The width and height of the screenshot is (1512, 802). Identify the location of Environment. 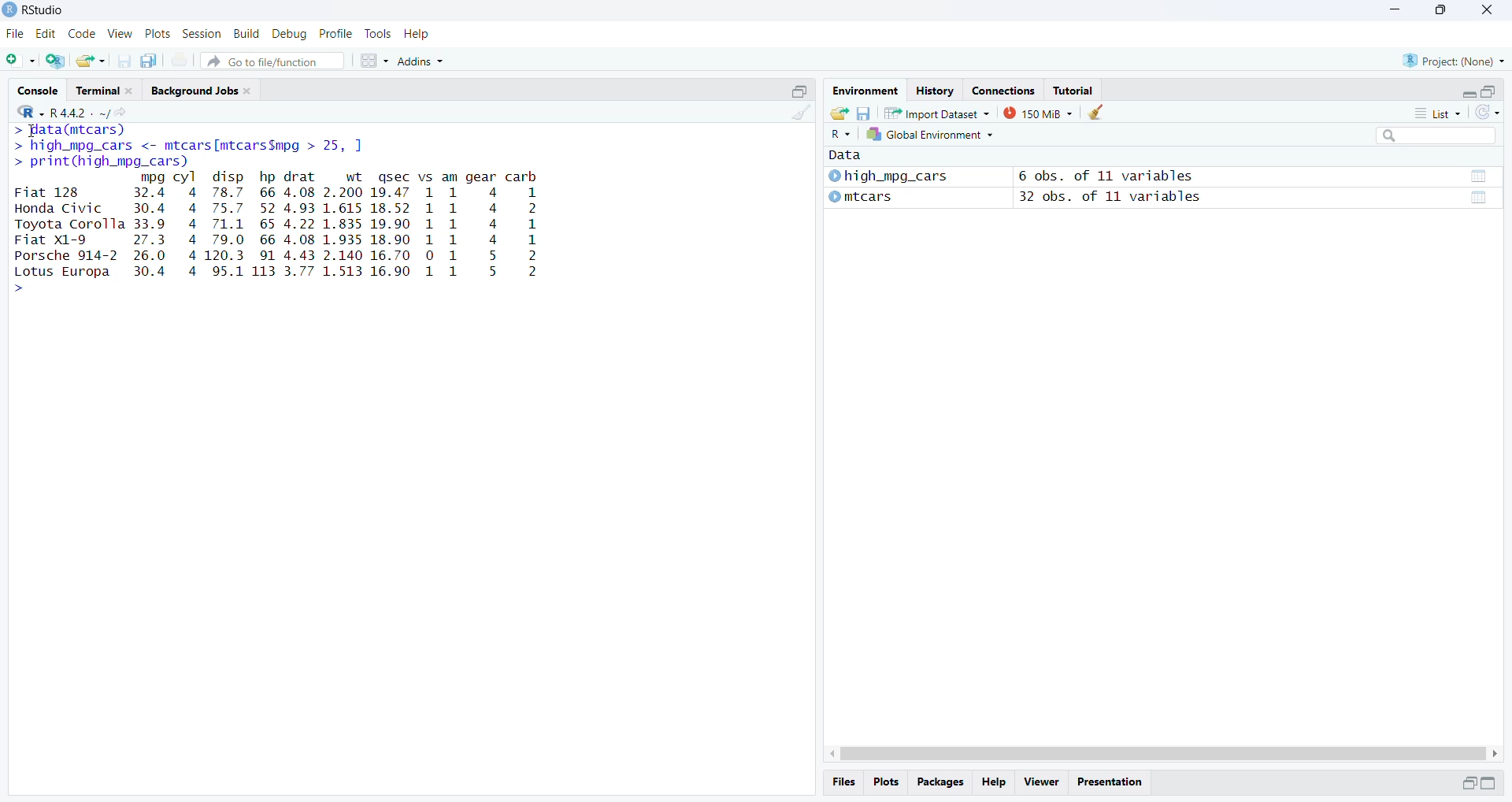
(863, 89).